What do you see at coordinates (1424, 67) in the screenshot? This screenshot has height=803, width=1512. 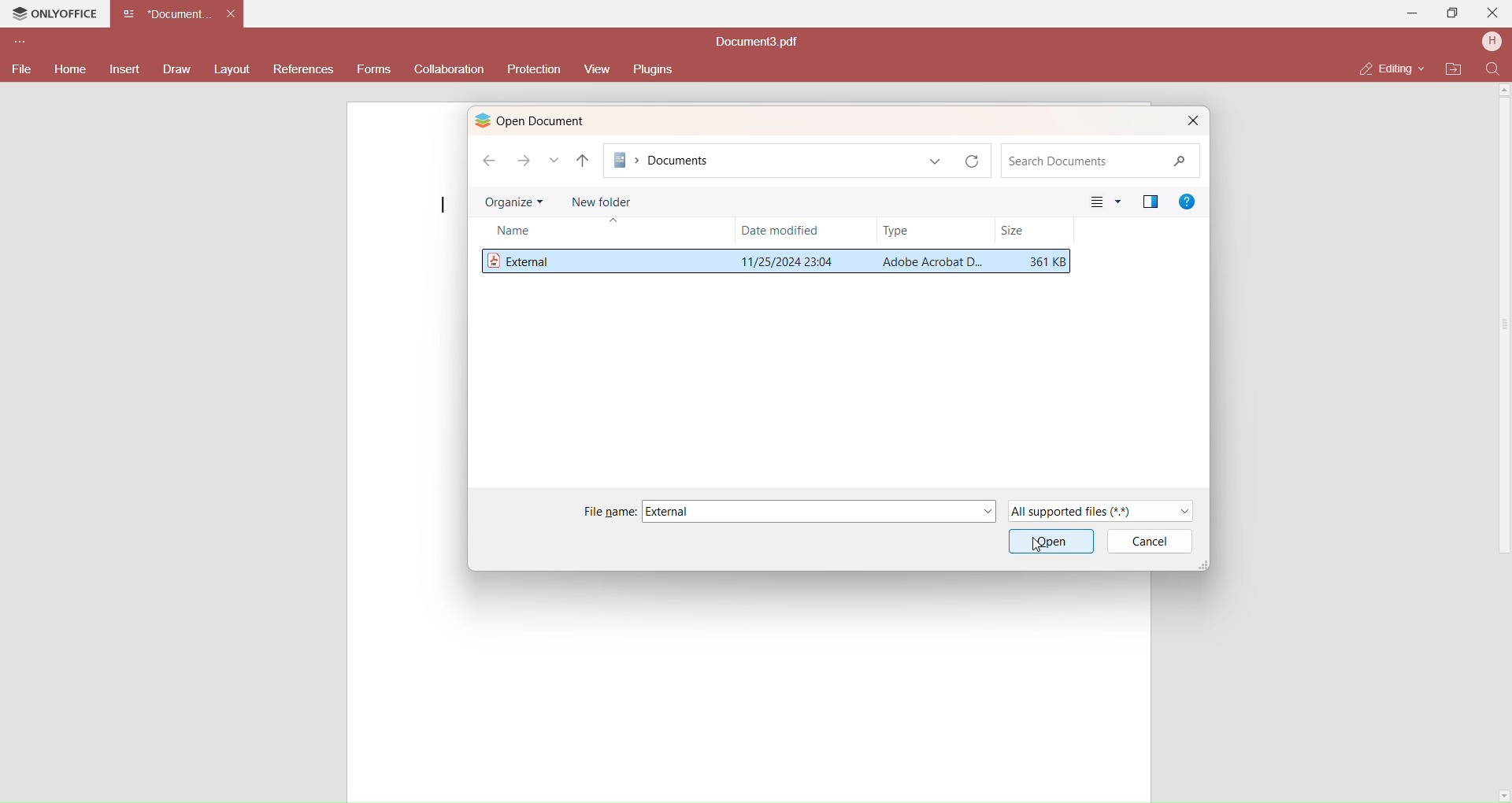 I see `Drop Down` at bounding box center [1424, 67].